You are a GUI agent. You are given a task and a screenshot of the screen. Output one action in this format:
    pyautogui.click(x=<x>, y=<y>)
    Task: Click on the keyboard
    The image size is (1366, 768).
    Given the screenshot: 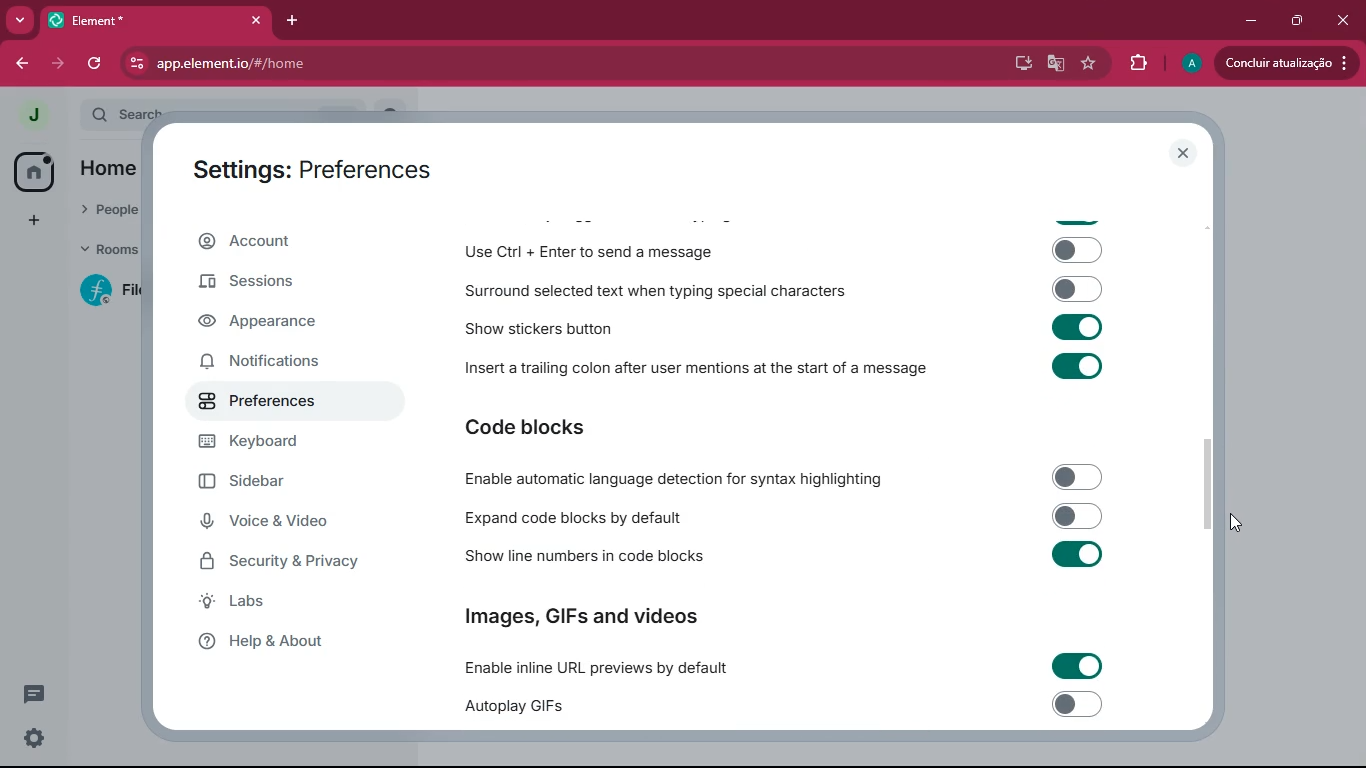 What is the action you would take?
    pyautogui.click(x=277, y=442)
    